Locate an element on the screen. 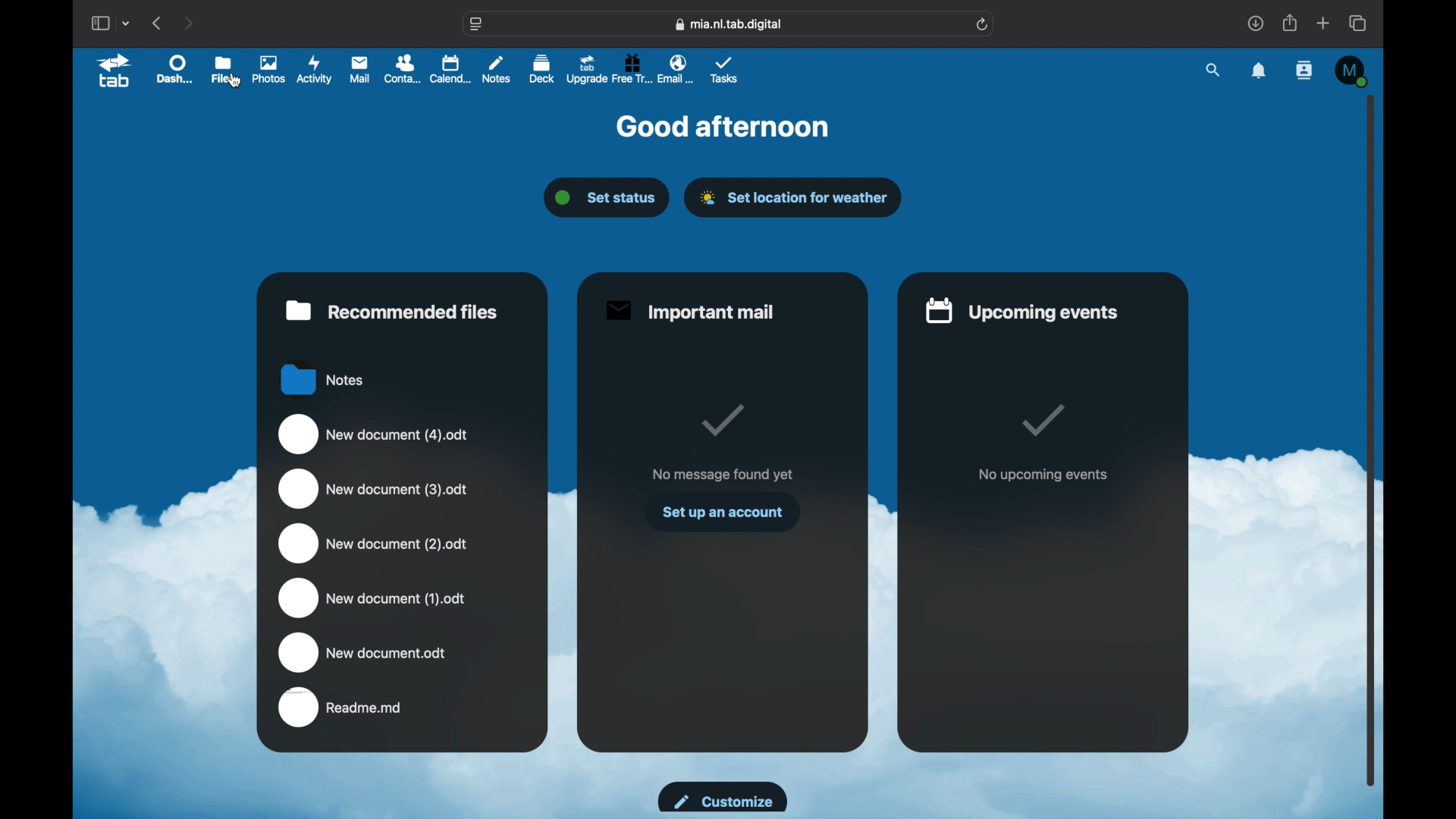  share is located at coordinates (1288, 23).